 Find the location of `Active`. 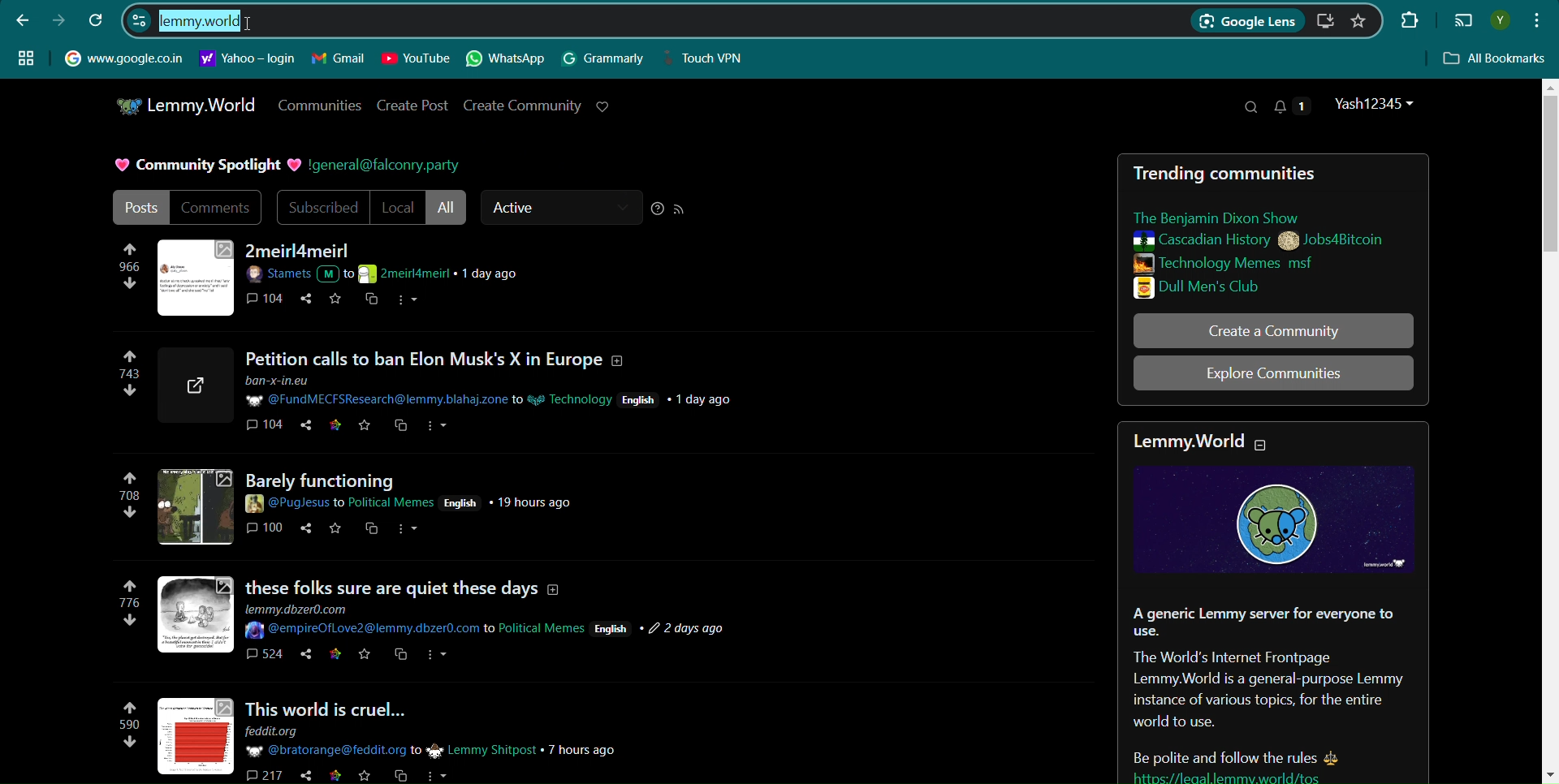

Active is located at coordinates (560, 208).